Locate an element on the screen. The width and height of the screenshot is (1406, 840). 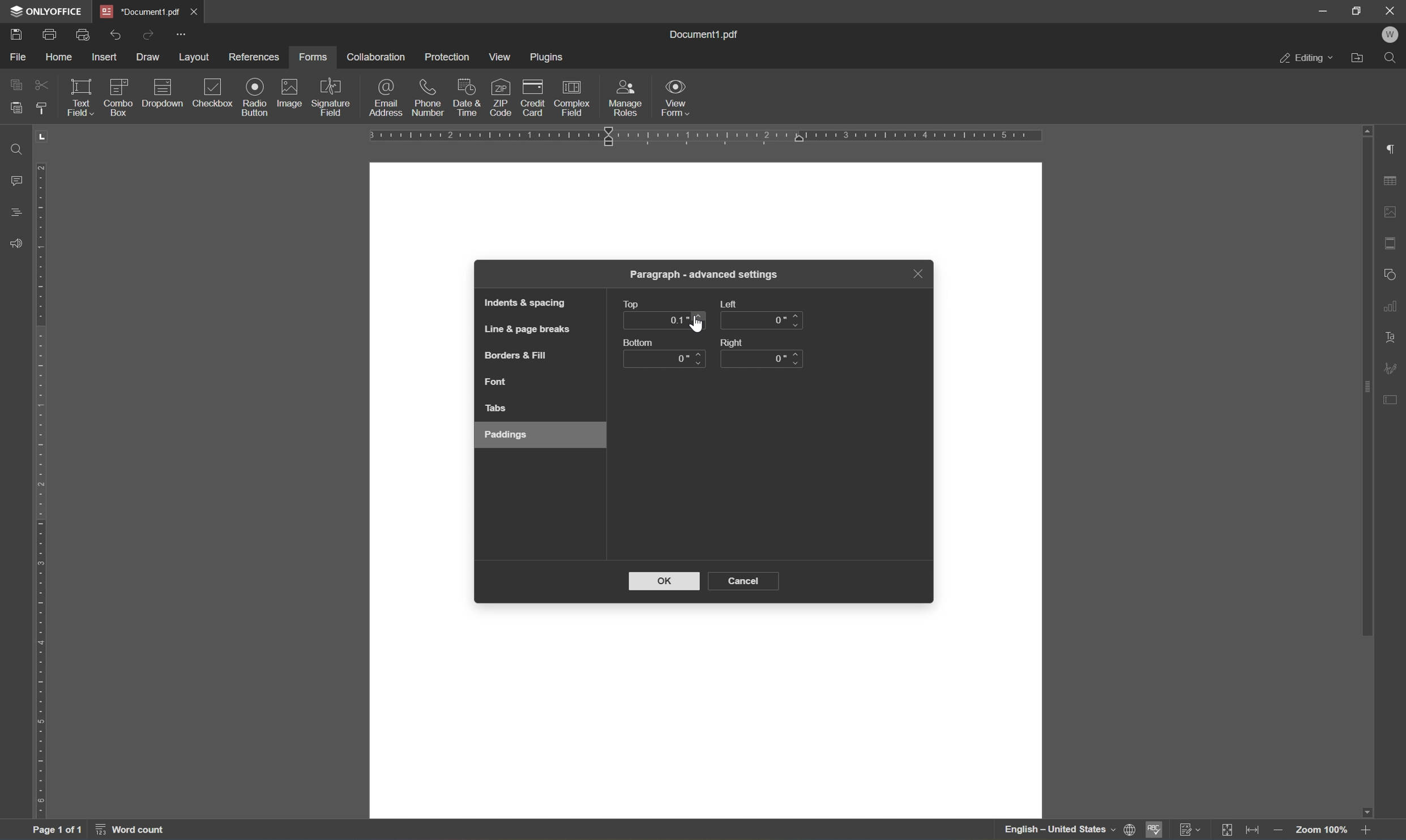
track changes is located at coordinates (1192, 830).